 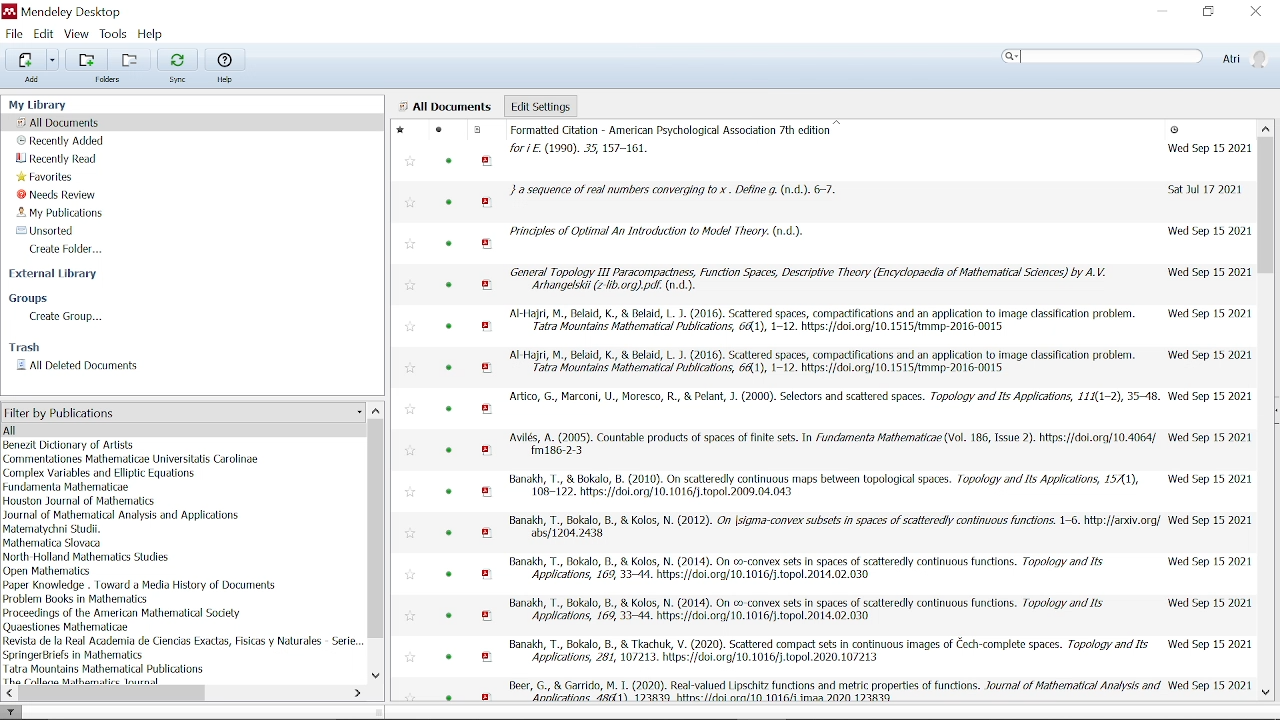 I want to click on Edit settings, so click(x=540, y=105).